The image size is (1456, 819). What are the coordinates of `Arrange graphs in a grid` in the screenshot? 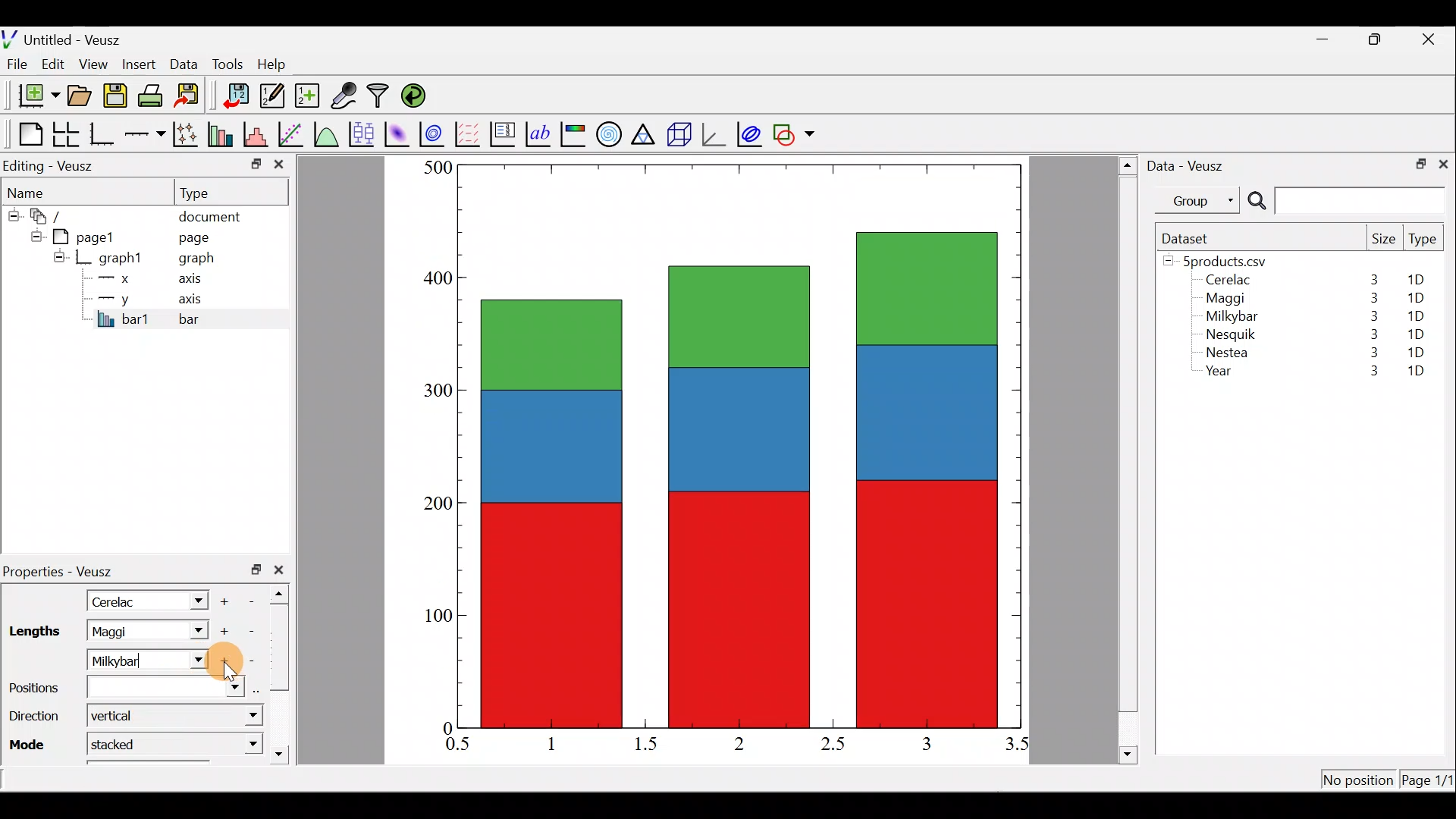 It's located at (65, 134).